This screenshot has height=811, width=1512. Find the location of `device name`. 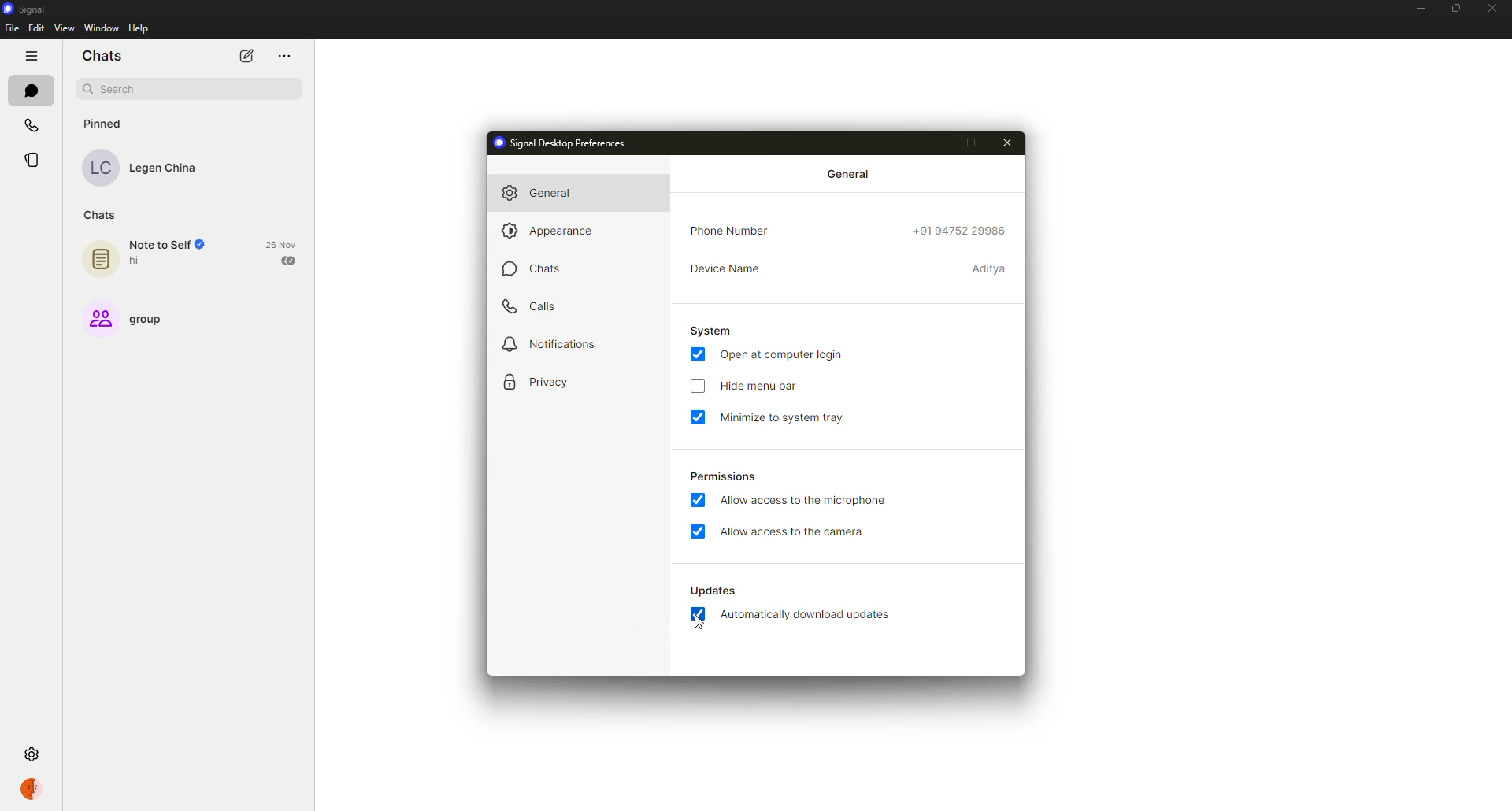

device name is located at coordinates (990, 268).